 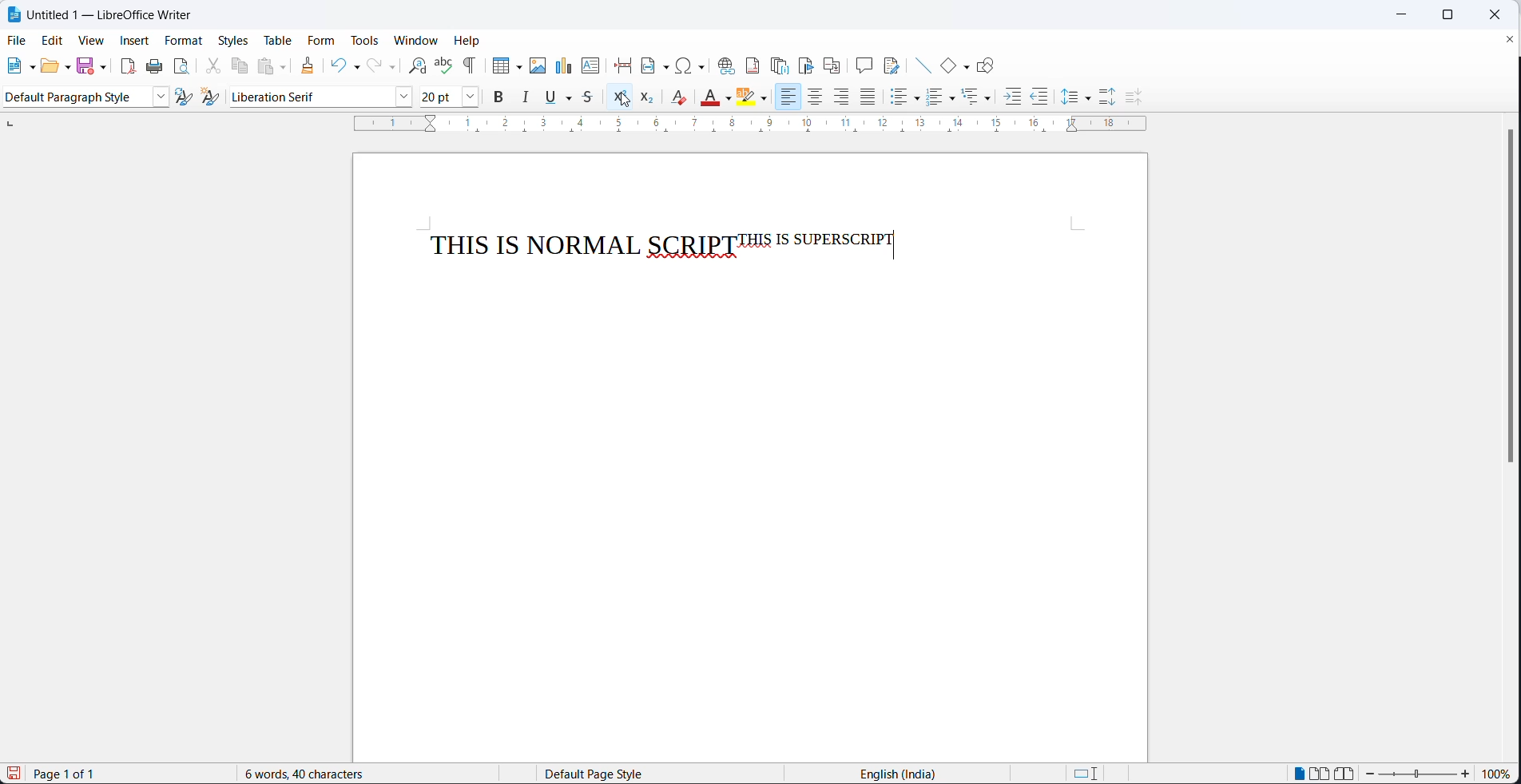 I want to click on view, so click(x=85, y=42).